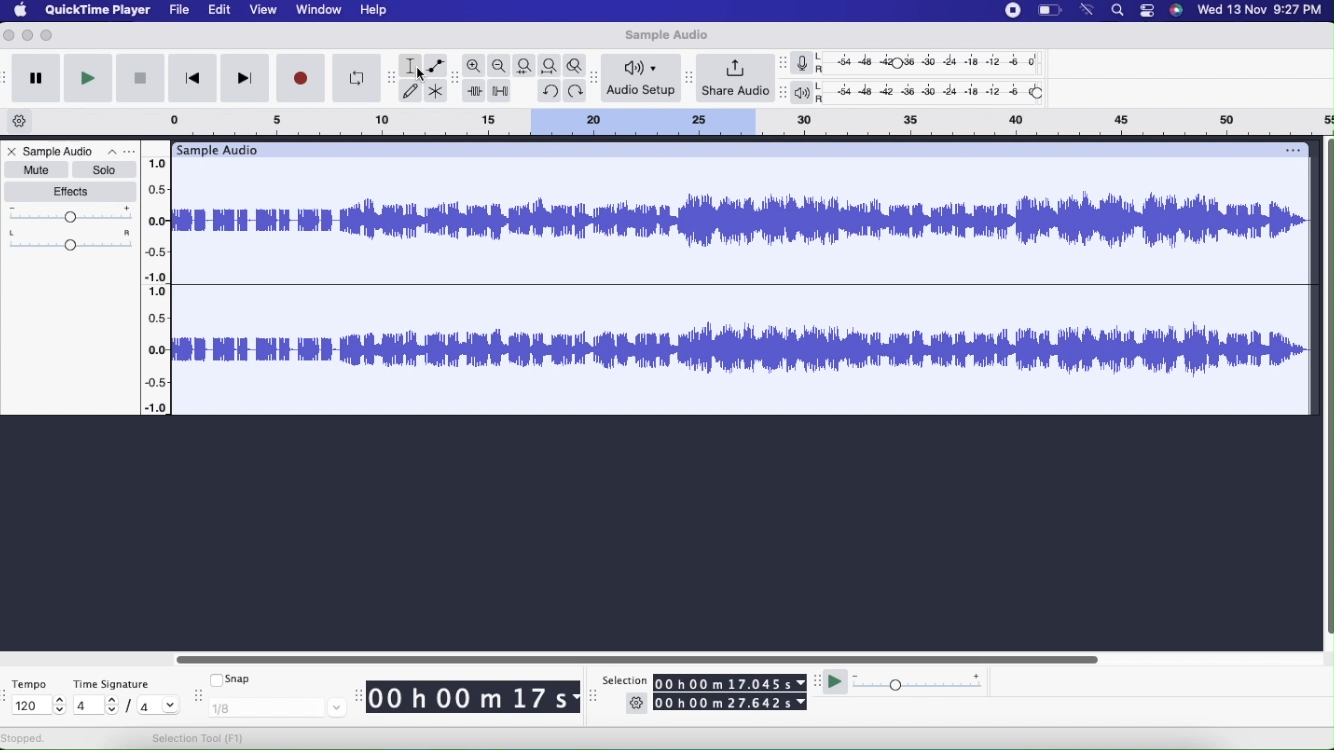 This screenshot has width=1334, height=750. Describe the element at coordinates (456, 76) in the screenshot. I see `move toolbar` at that location.